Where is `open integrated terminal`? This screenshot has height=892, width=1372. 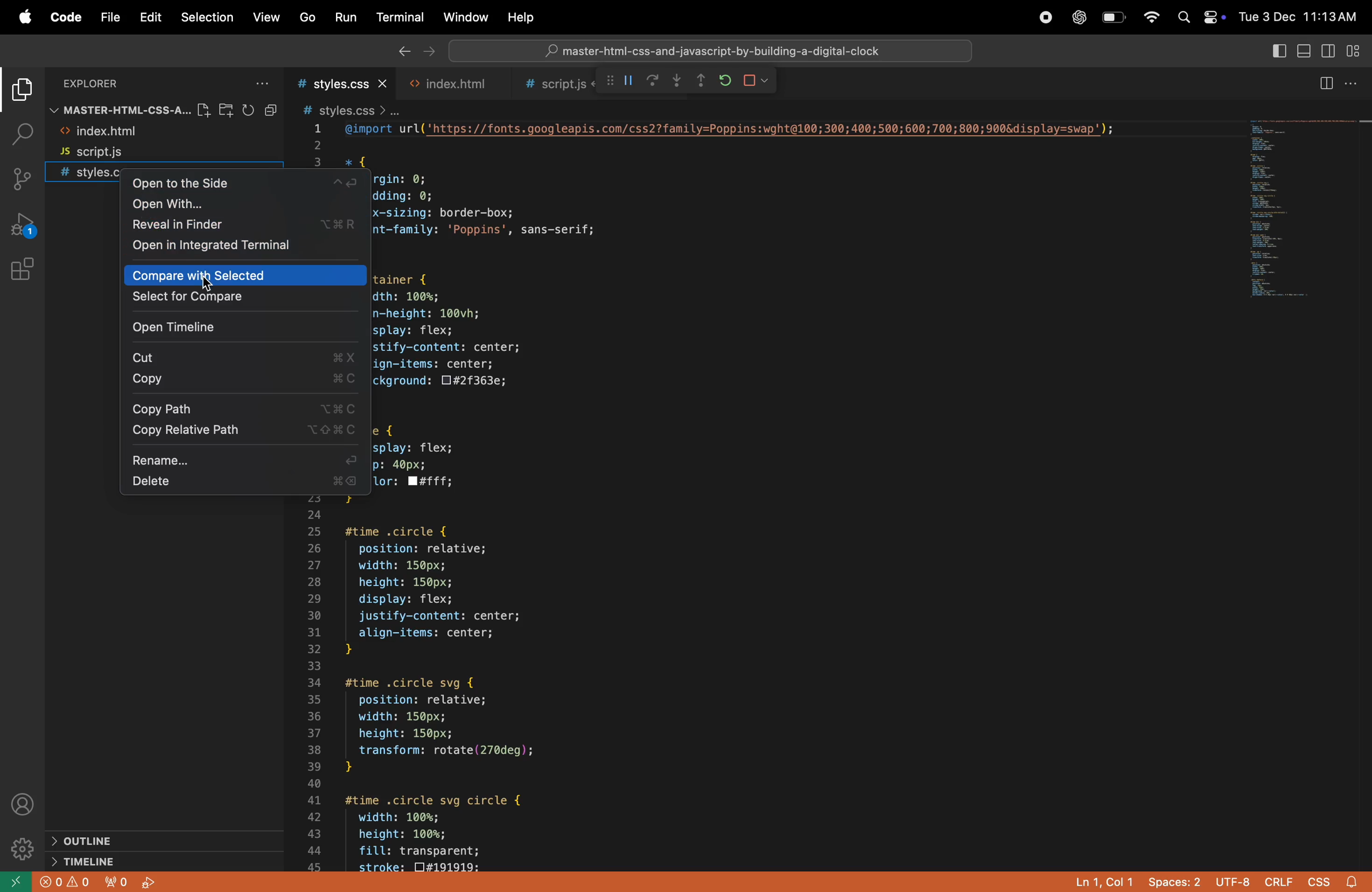
open integrated terminal is located at coordinates (251, 250).